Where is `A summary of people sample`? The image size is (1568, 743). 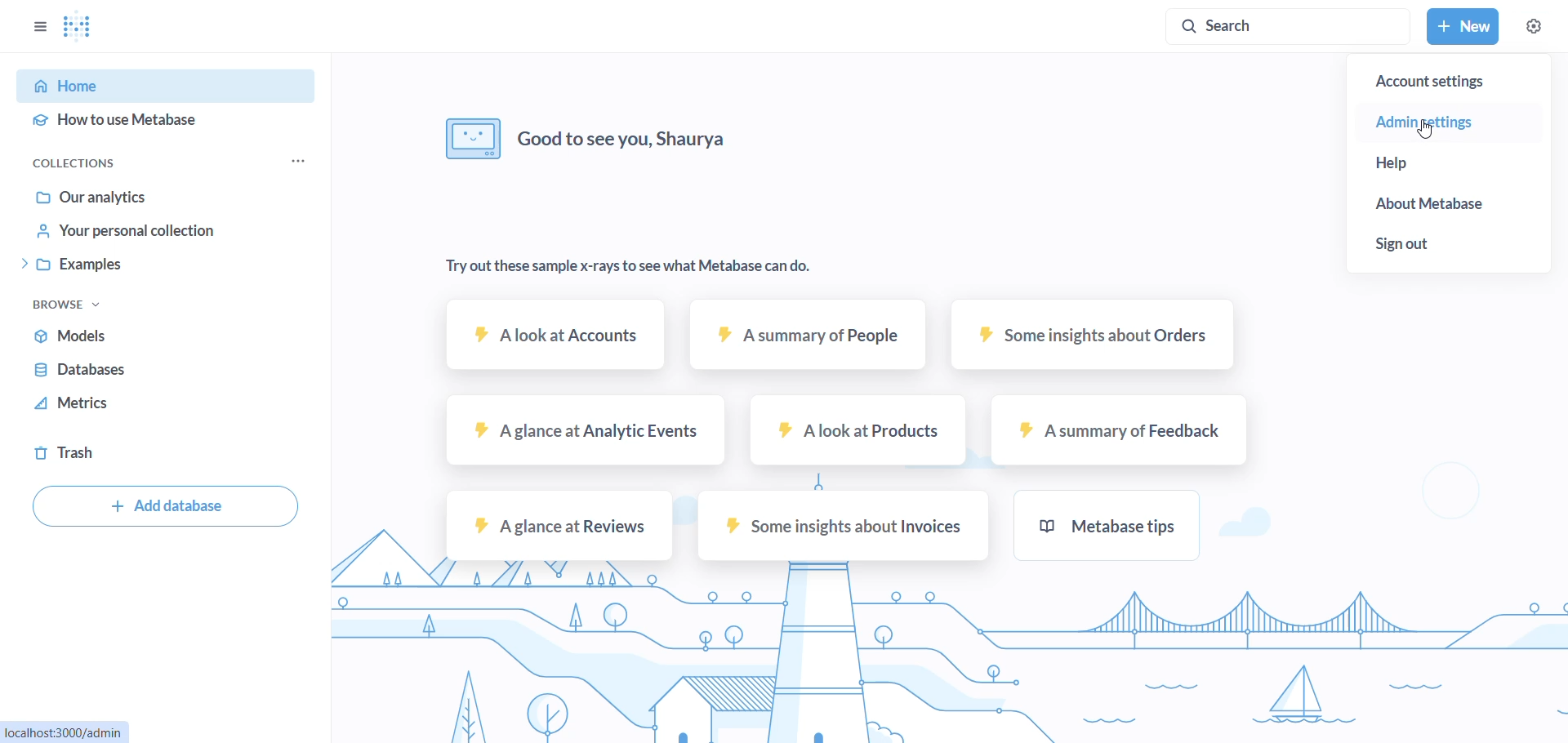 A summary of people sample is located at coordinates (813, 338).